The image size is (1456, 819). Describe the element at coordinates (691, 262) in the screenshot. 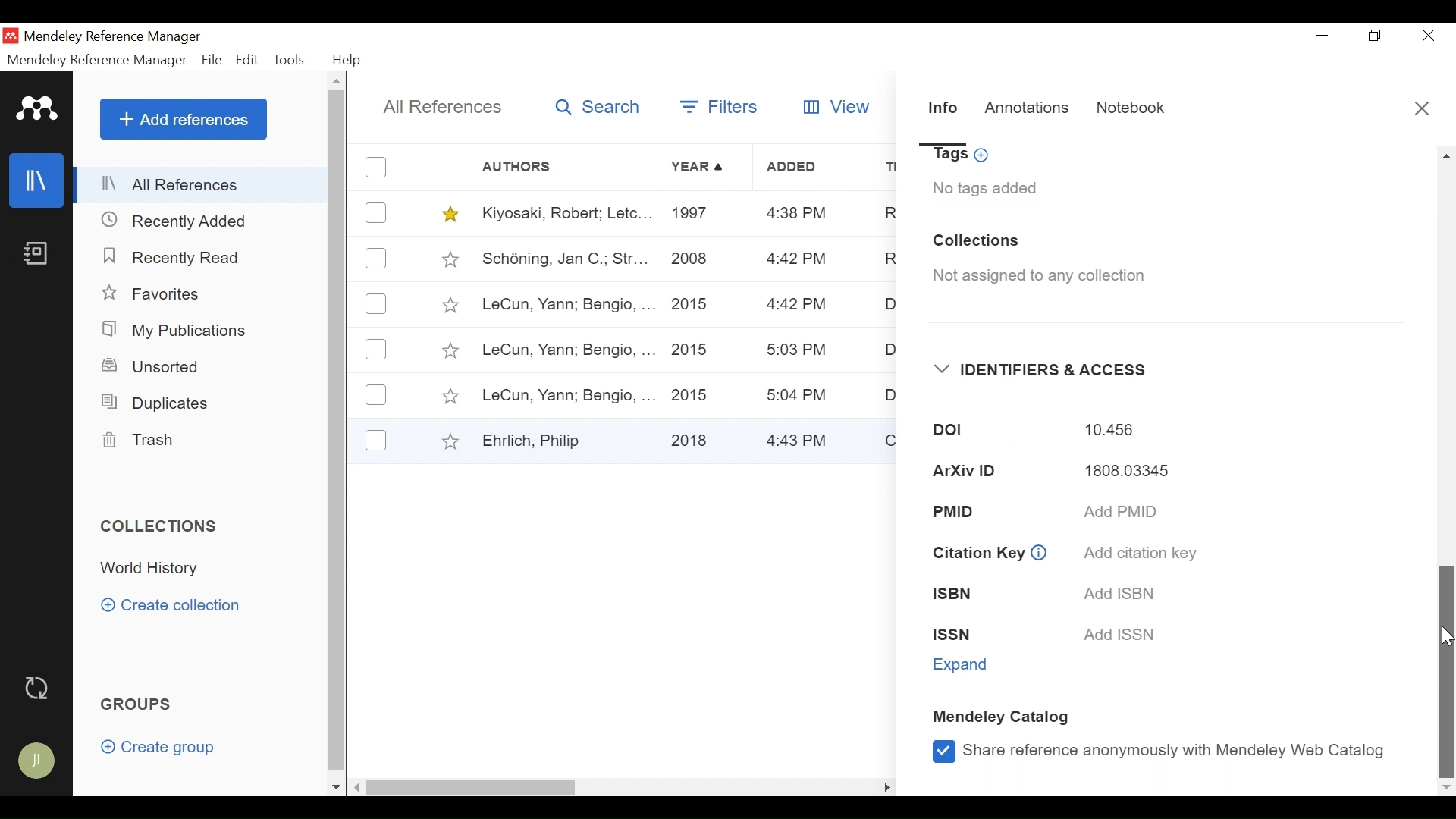

I see `2008` at that location.